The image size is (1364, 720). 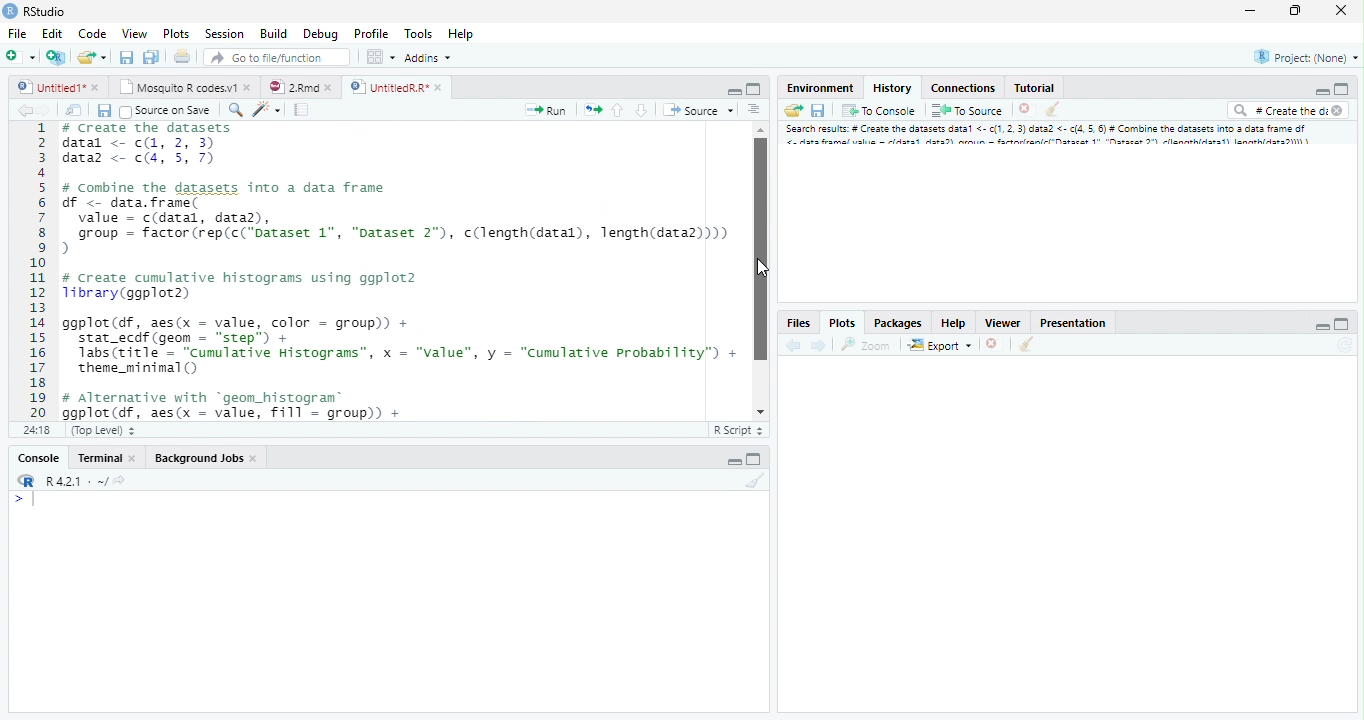 I want to click on Input cursor, so click(x=30, y=500).